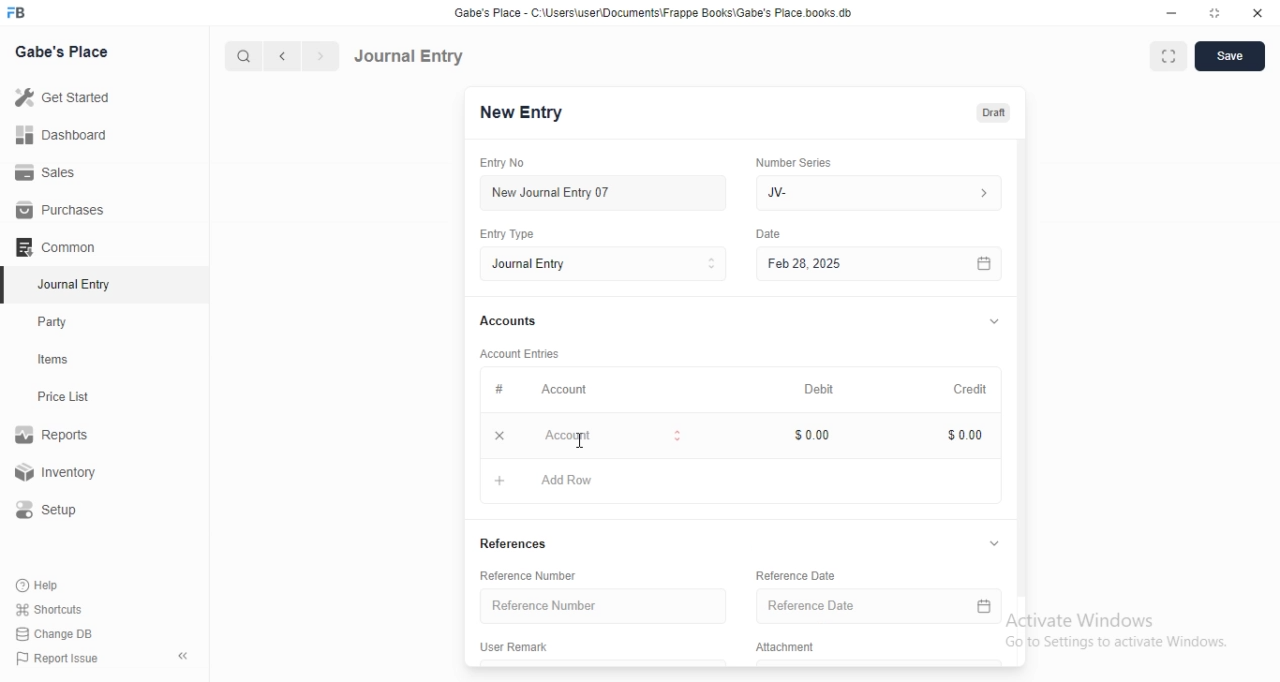 Image resolution: width=1280 pixels, height=682 pixels. What do you see at coordinates (241, 56) in the screenshot?
I see `search` at bounding box center [241, 56].